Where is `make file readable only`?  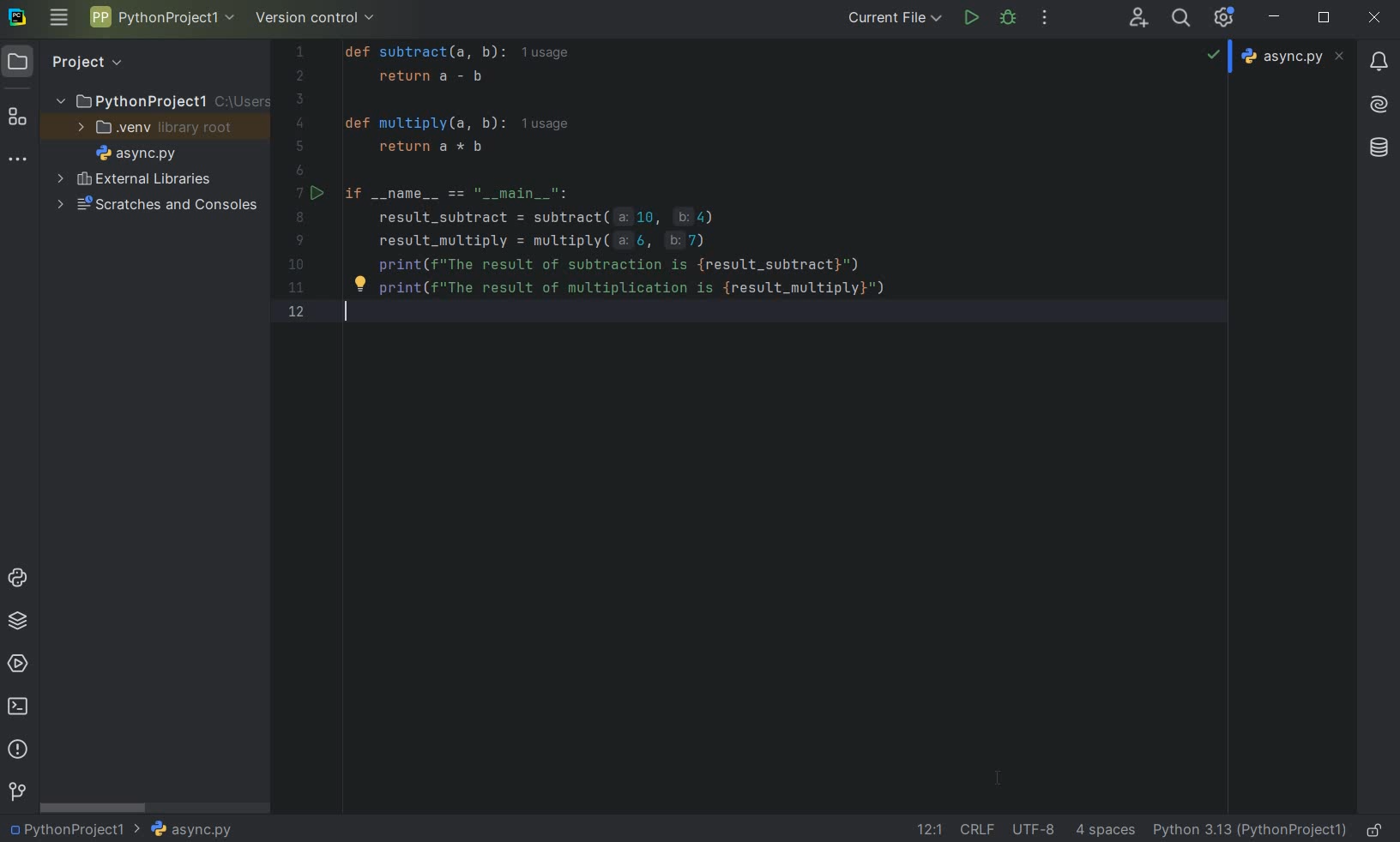
make file readable only is located at coordinates (1376, 828).